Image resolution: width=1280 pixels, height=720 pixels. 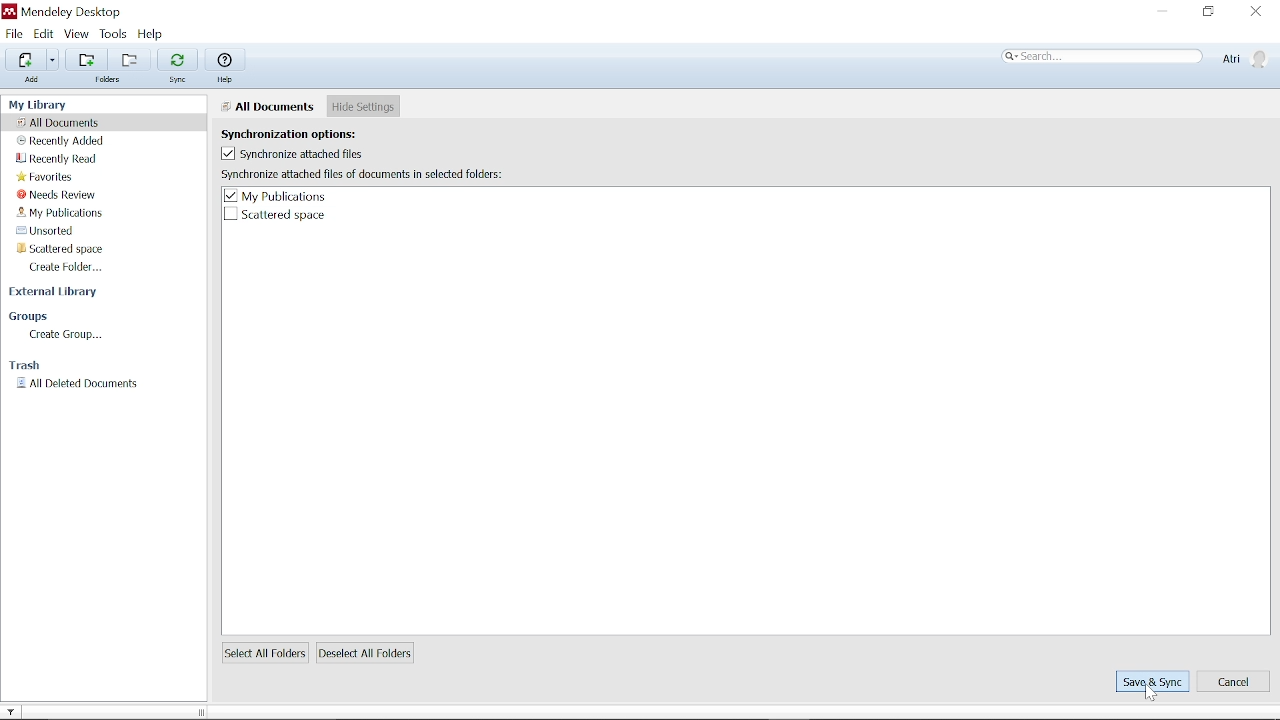 I want to click on Groups, so click(x=30, y=316).